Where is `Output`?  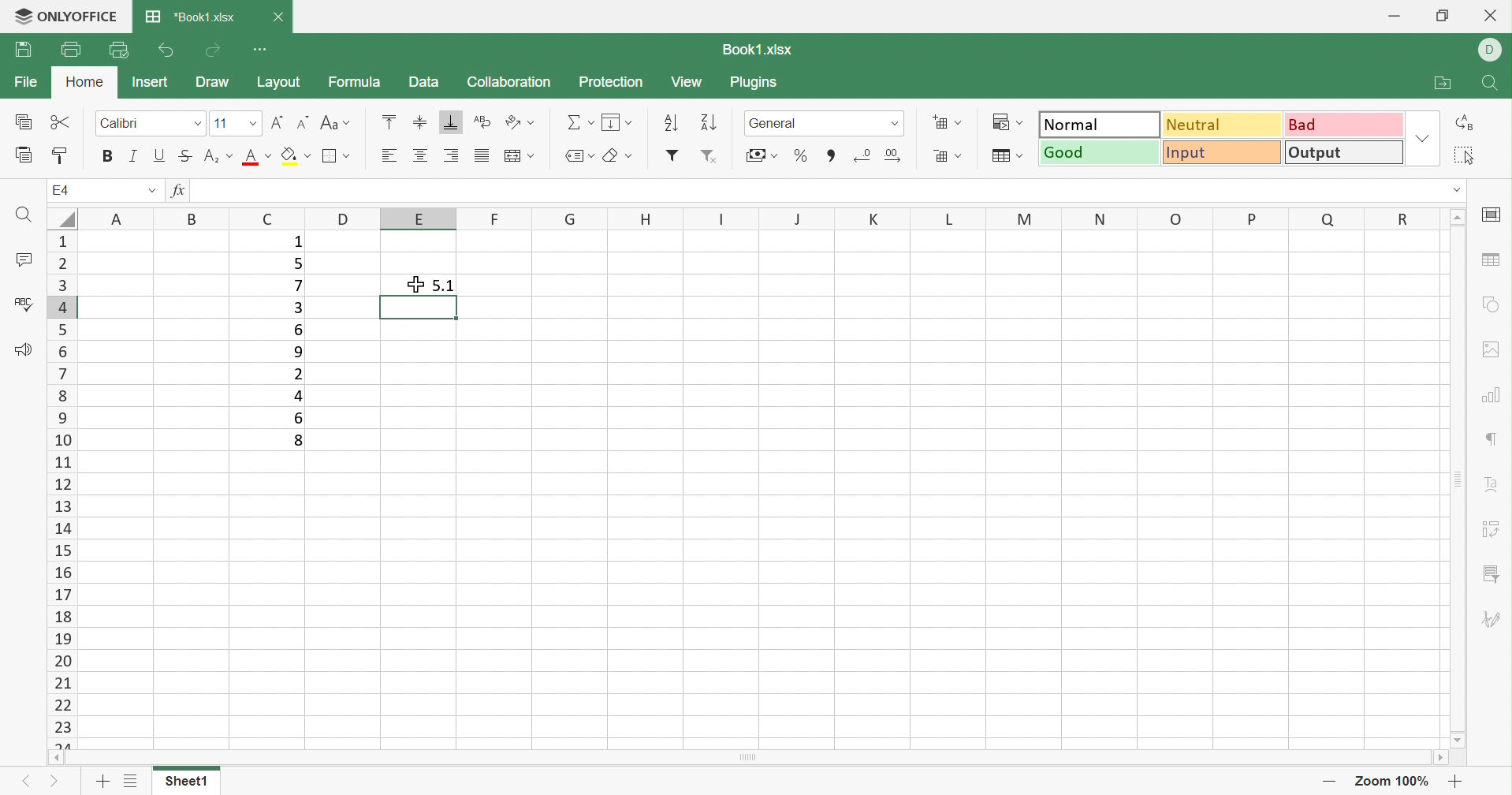 Output is located at coordinates (1345, 151).